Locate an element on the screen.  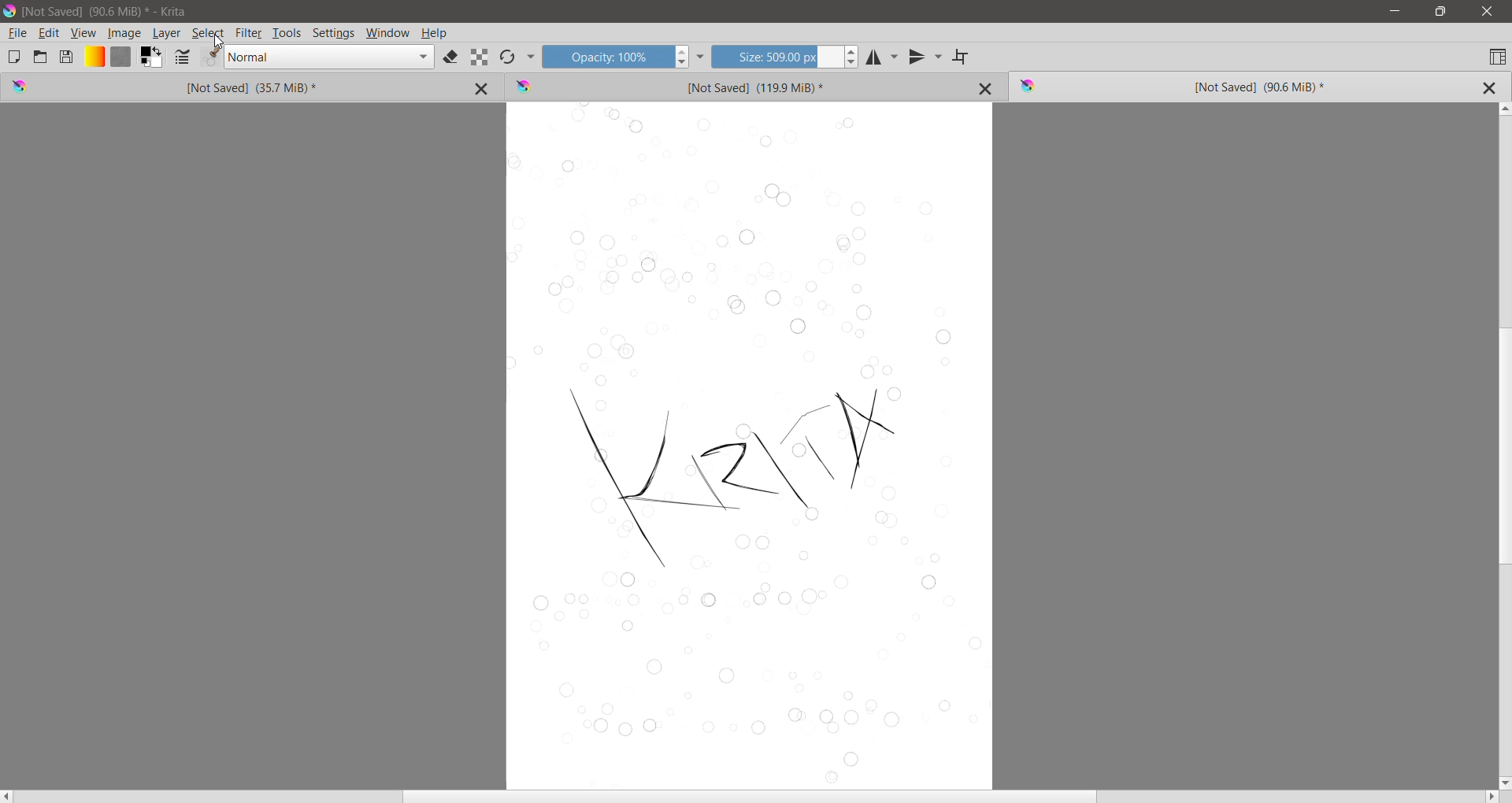
Horizontal Scroll Bar is located at coordinates (750, 797).